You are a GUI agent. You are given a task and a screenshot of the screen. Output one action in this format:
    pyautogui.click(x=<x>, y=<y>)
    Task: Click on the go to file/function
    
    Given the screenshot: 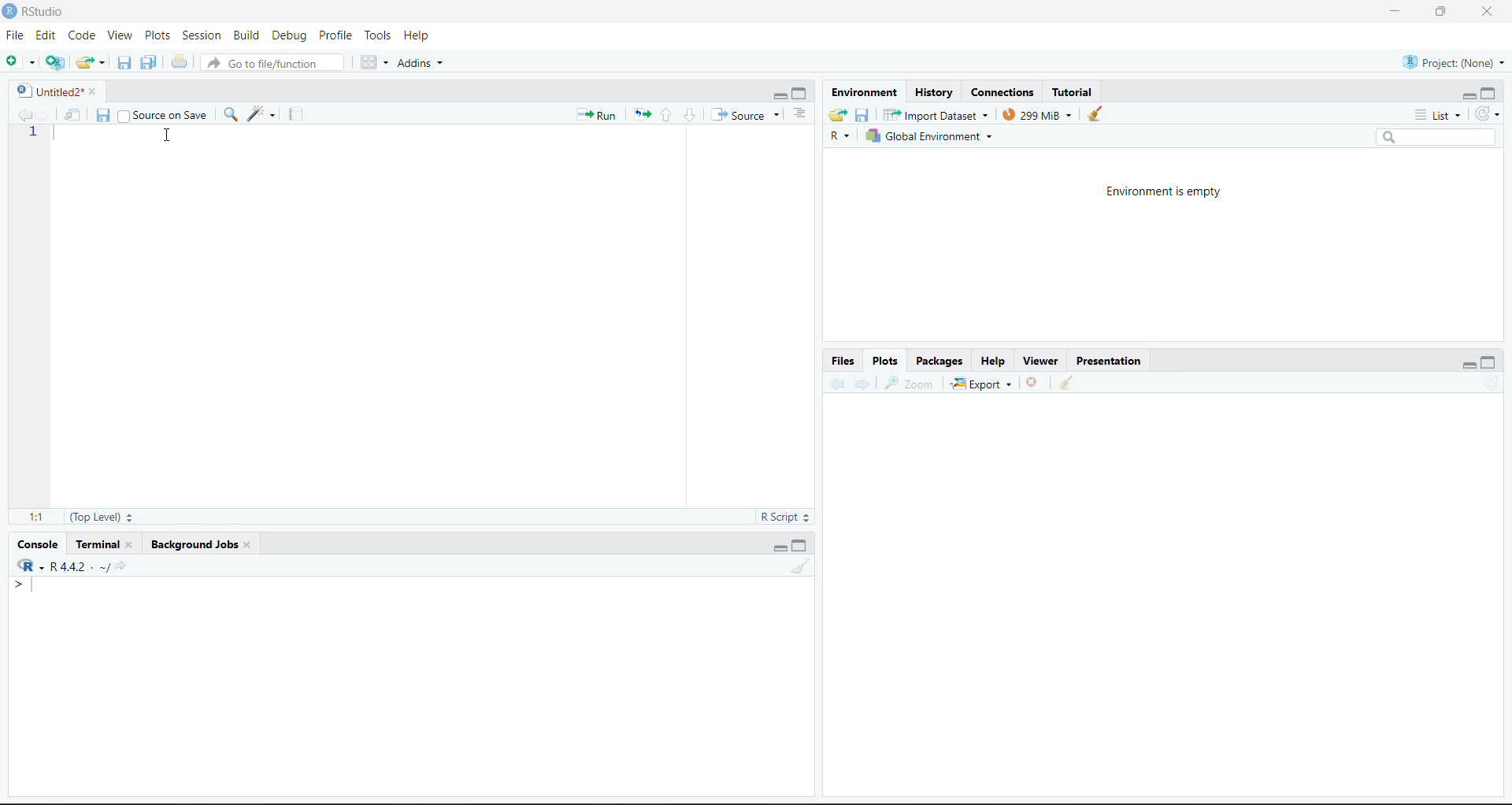 What is the action you would take?
    pyautogui.click(x=271, y=63)
    